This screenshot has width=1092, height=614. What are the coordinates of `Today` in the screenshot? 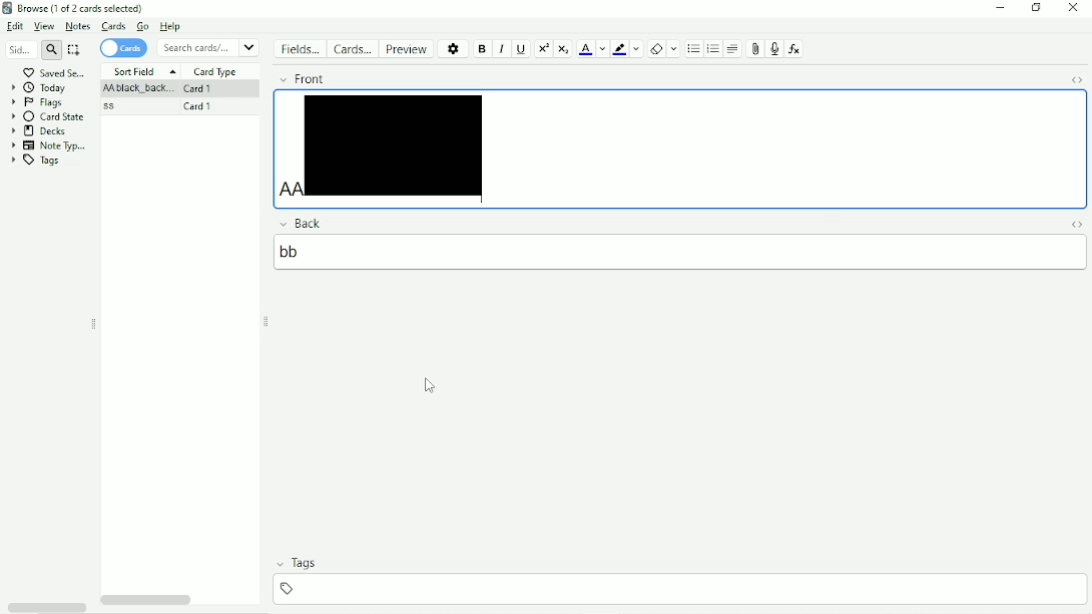 It's located at (44, 87).